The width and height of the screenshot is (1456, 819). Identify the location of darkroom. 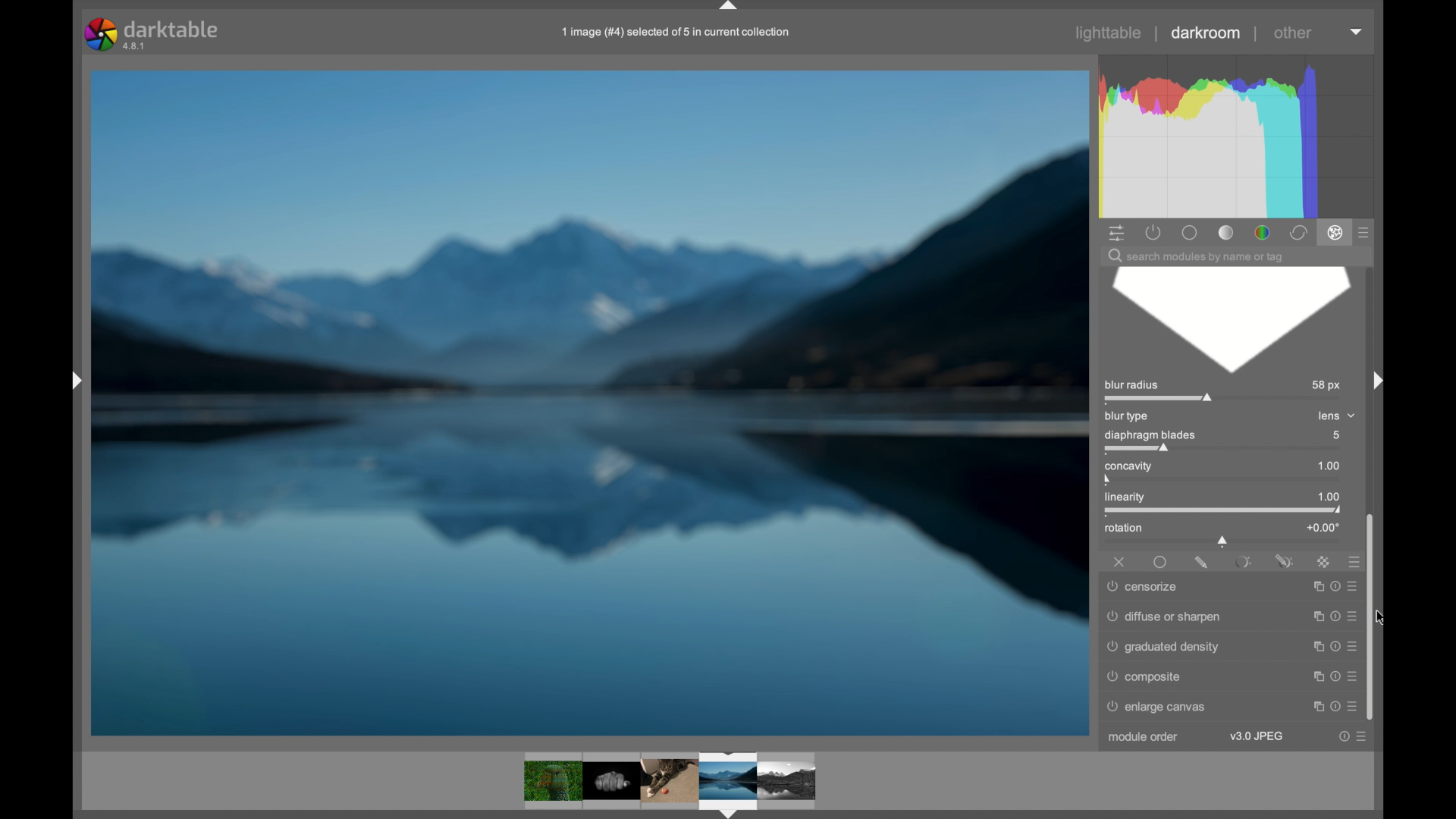
(1207, 33).